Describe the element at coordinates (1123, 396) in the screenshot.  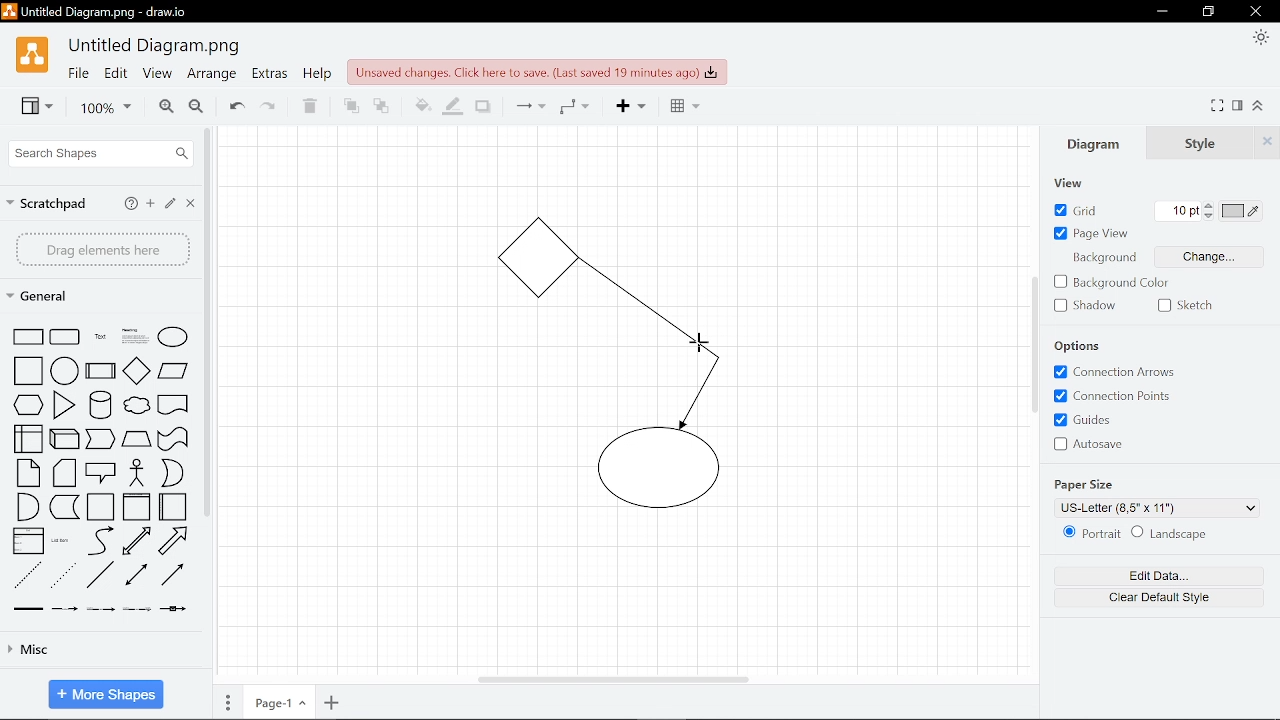
I see `Connection points` at that location.